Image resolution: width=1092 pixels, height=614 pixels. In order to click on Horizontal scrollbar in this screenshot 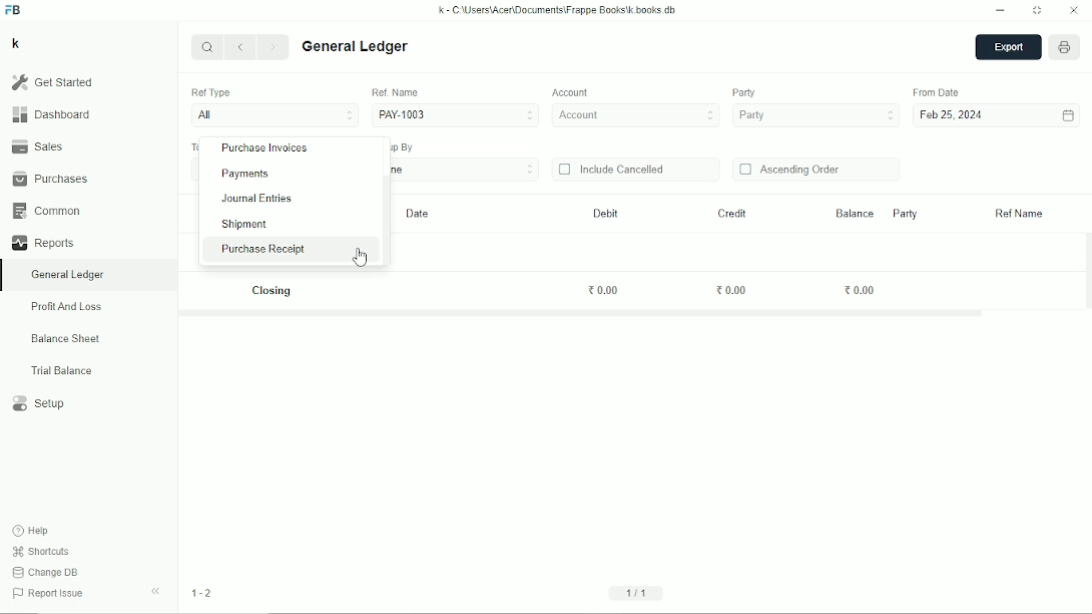, I will do `click(582, 314)`.